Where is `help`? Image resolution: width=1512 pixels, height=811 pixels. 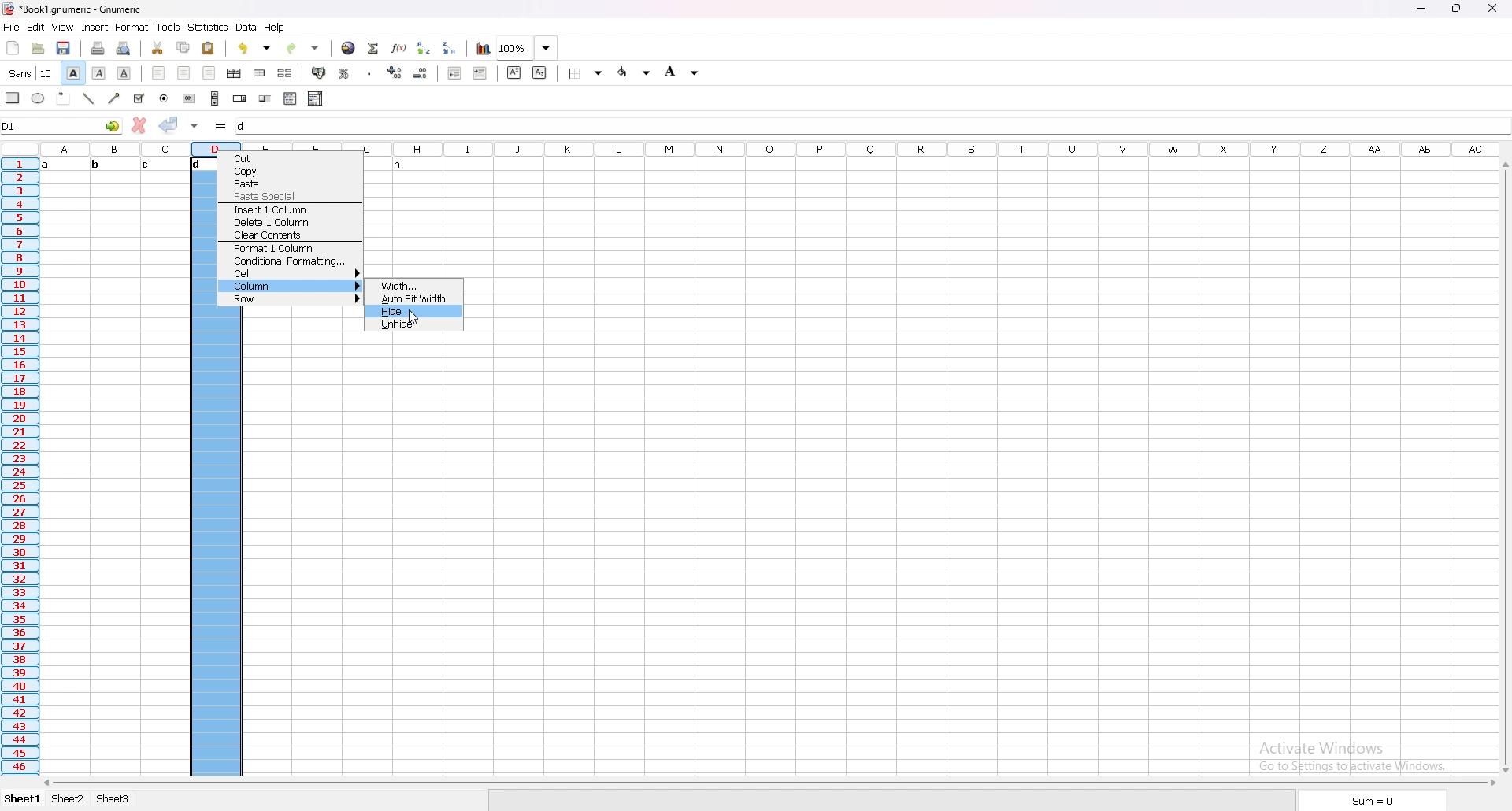 help is located at coordinates (274, 27).